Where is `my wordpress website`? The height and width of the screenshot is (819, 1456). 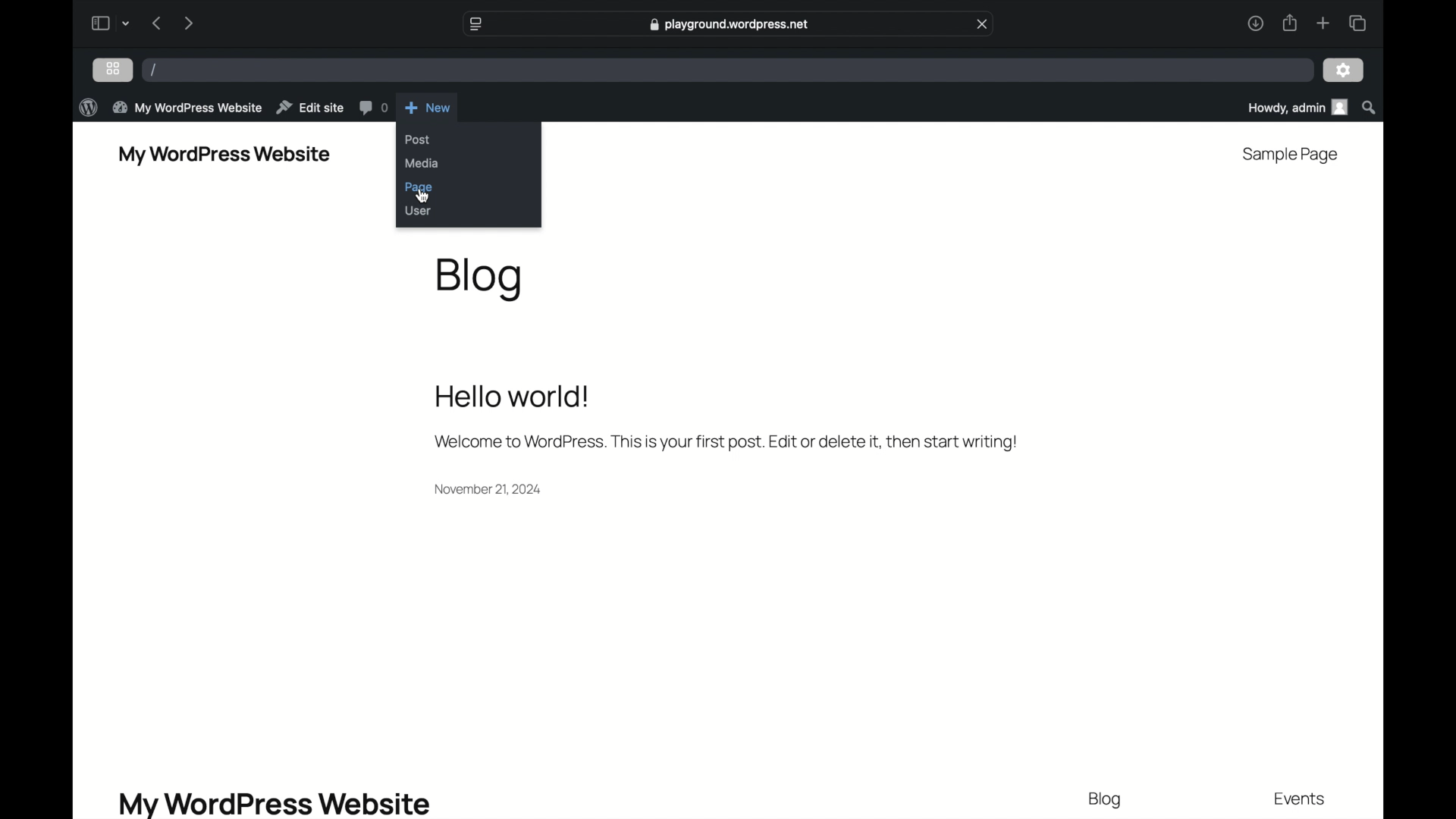 my wordpress website is located at coordinates (187, 107).